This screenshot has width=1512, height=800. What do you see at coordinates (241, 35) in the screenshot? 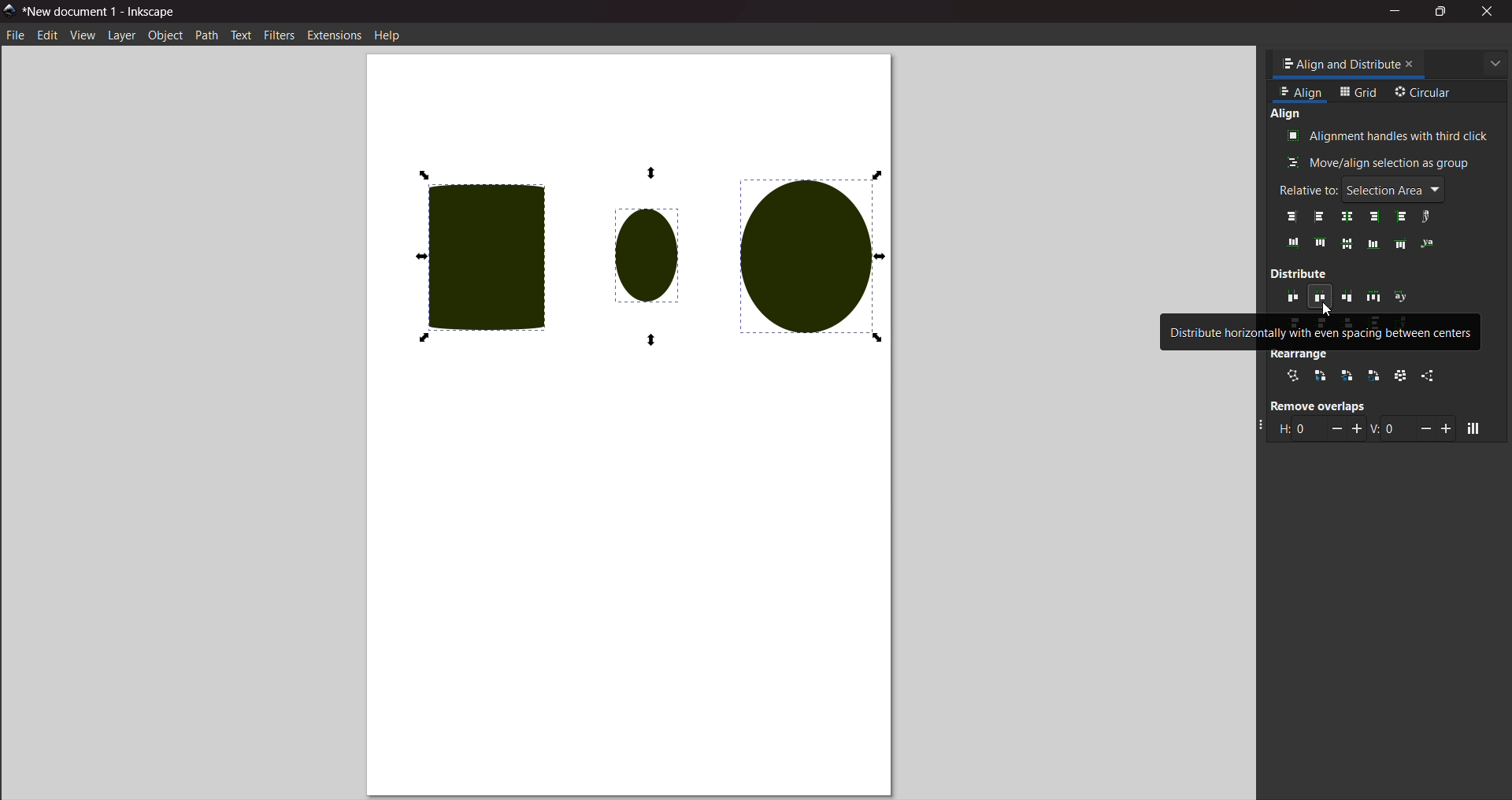
I see `text` at bounding box center [241, 35].